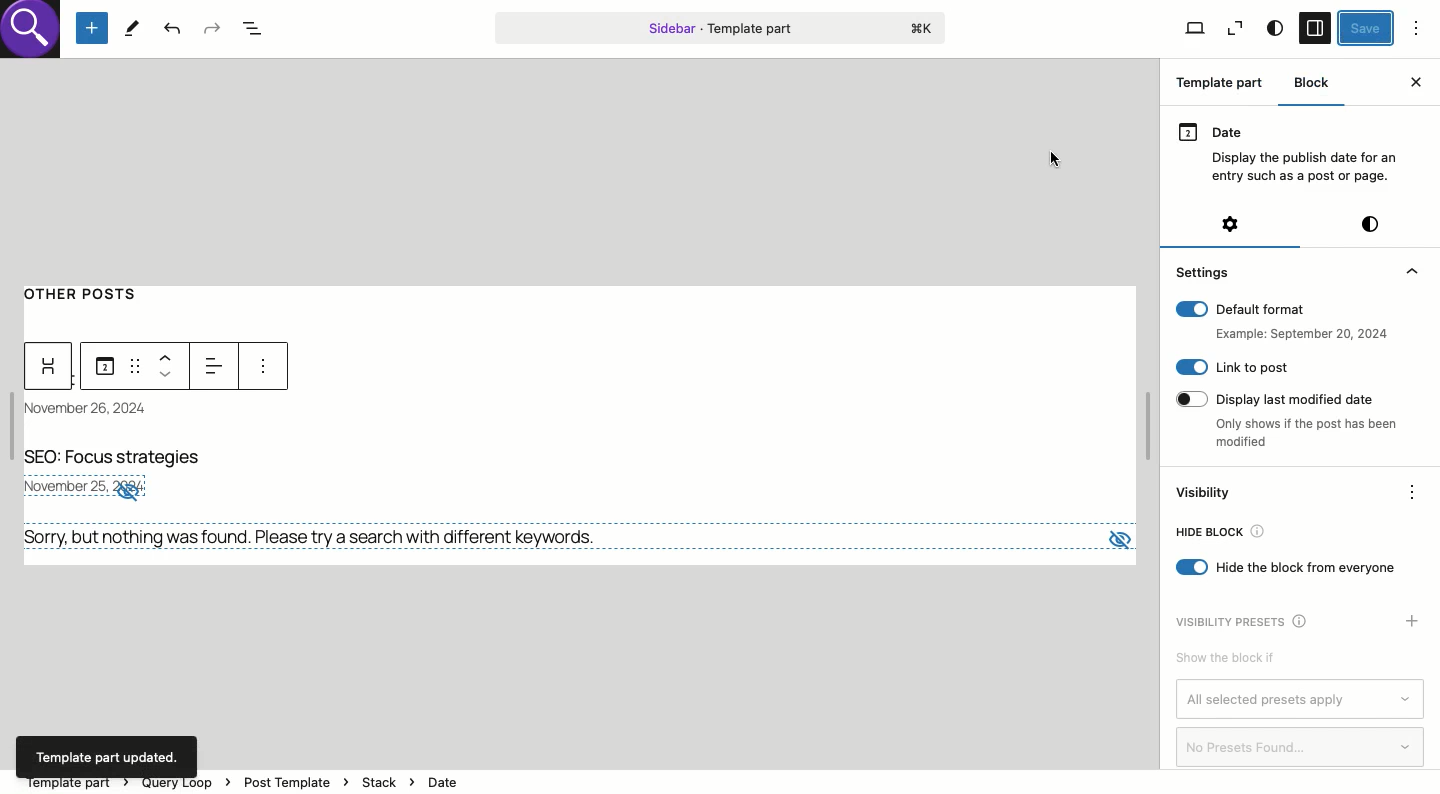  What do you see at coordinates (1206, 494) in the screenshot?
I see `Visibility ` at bounding box center [1206, 494].